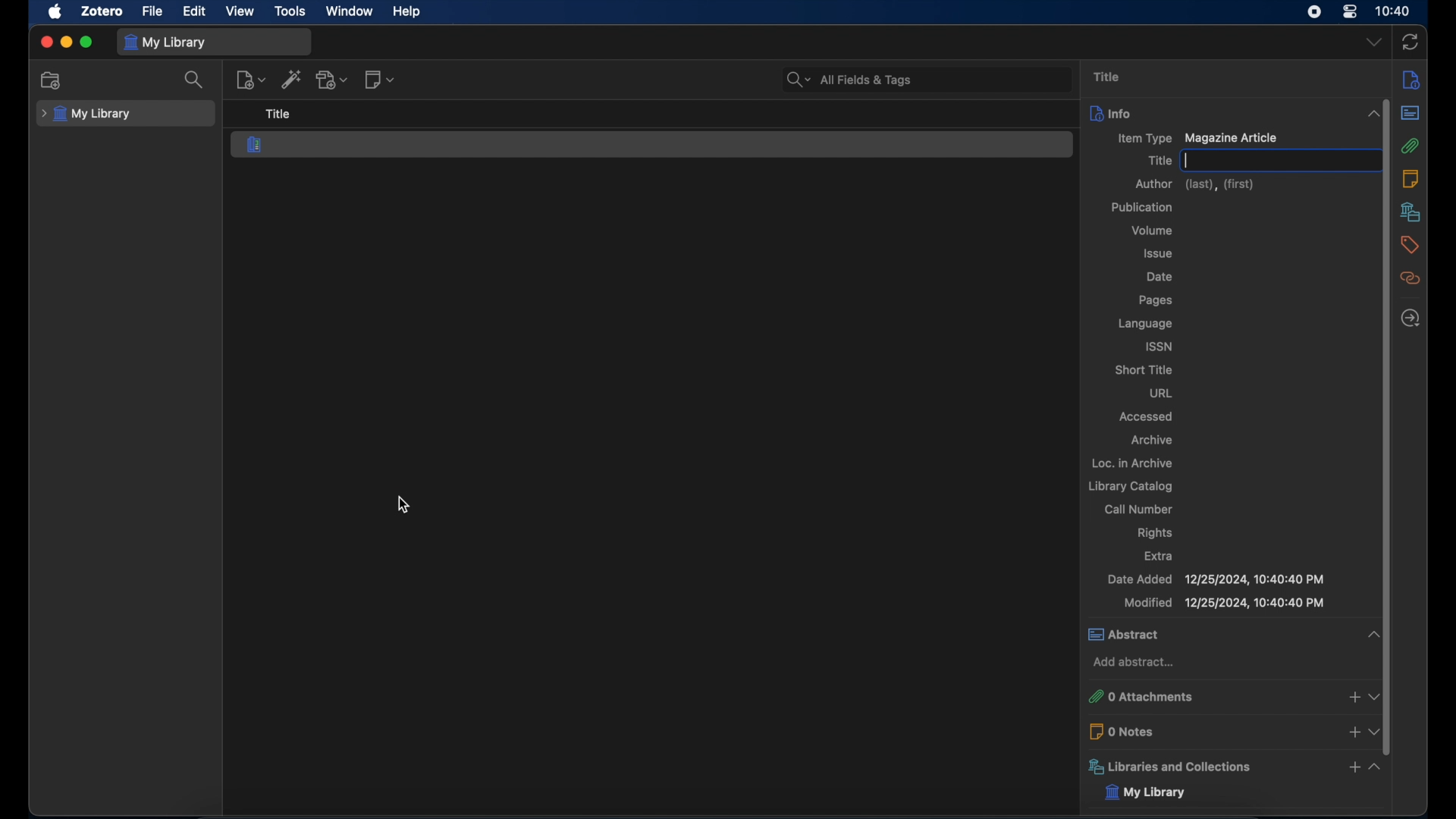 The height and width of the screenshot is (819, 1456). I want to click on maximize, so click(86, 42).